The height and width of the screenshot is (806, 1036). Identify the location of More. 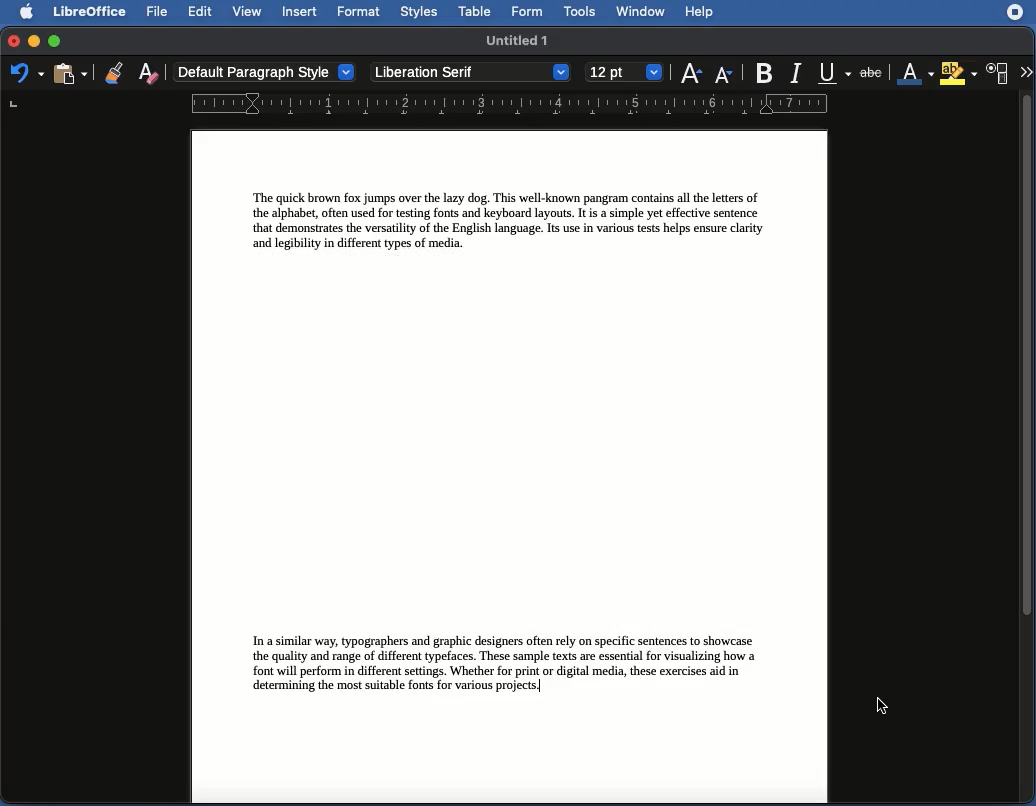
(1025, 70).